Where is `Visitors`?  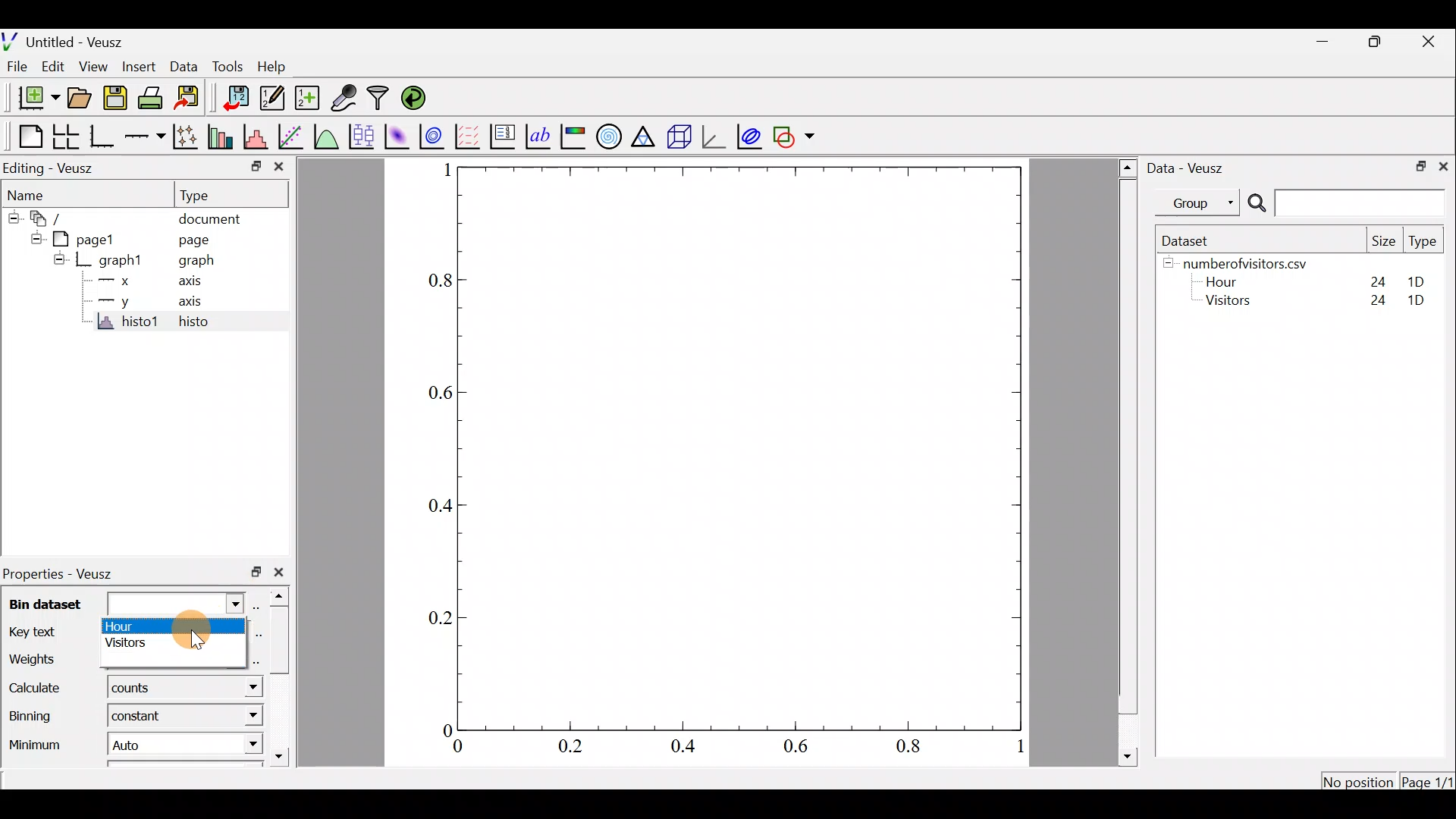 Visitors is located at coordinates (1234, 303).